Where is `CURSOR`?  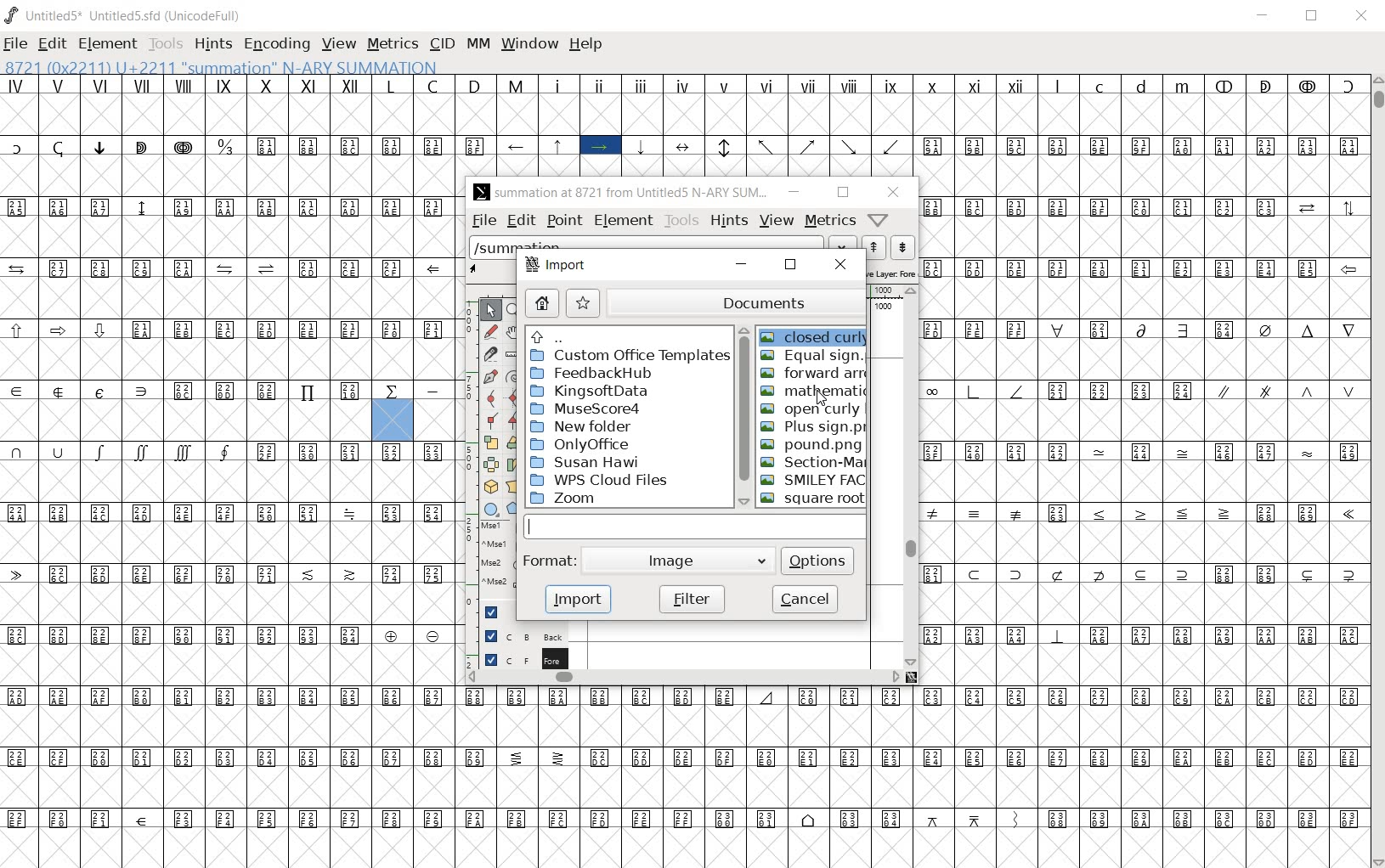 CURSOR is located at coordinates (875, 57).